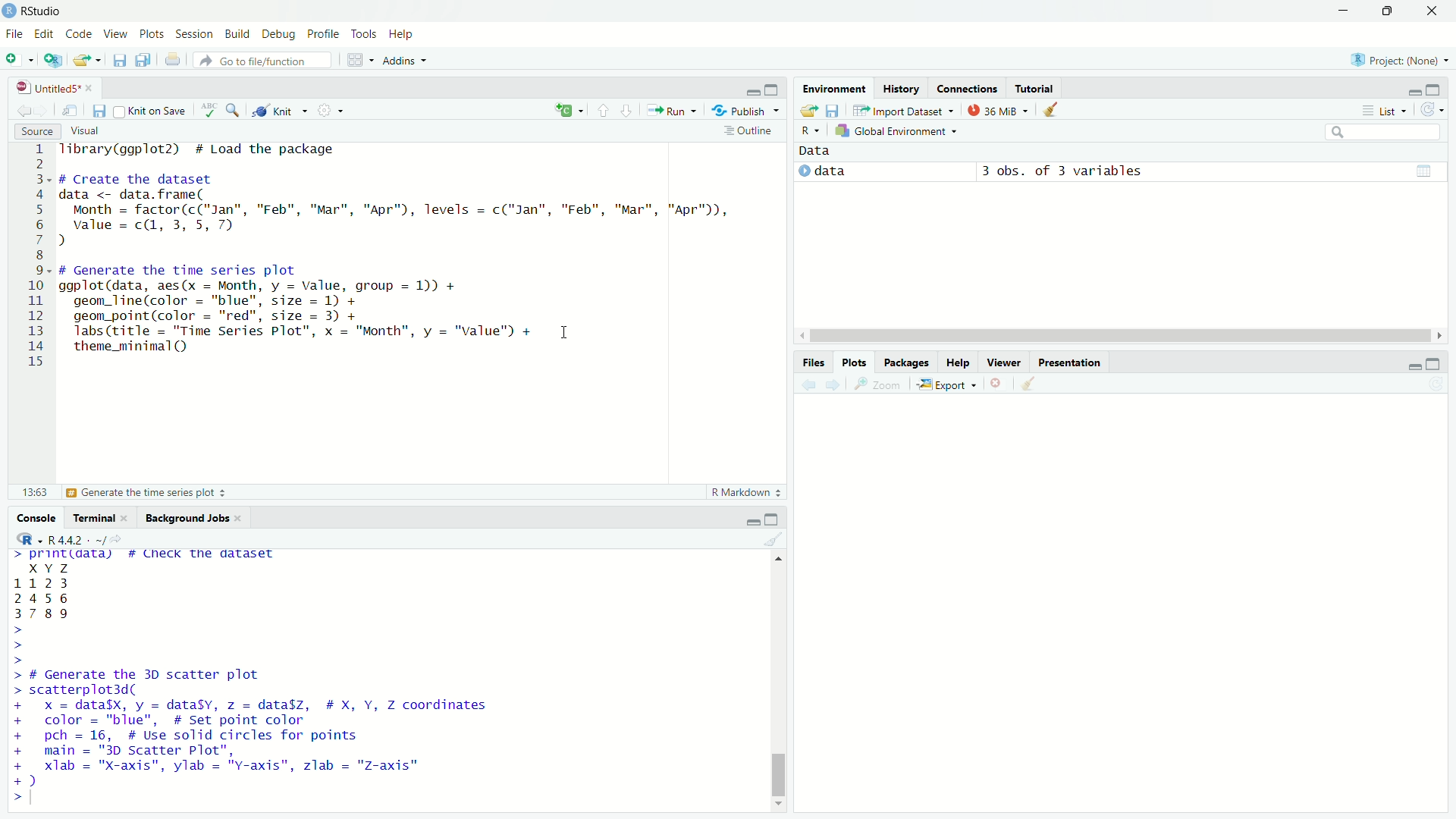  I want to click on Session, so click(193, 35).